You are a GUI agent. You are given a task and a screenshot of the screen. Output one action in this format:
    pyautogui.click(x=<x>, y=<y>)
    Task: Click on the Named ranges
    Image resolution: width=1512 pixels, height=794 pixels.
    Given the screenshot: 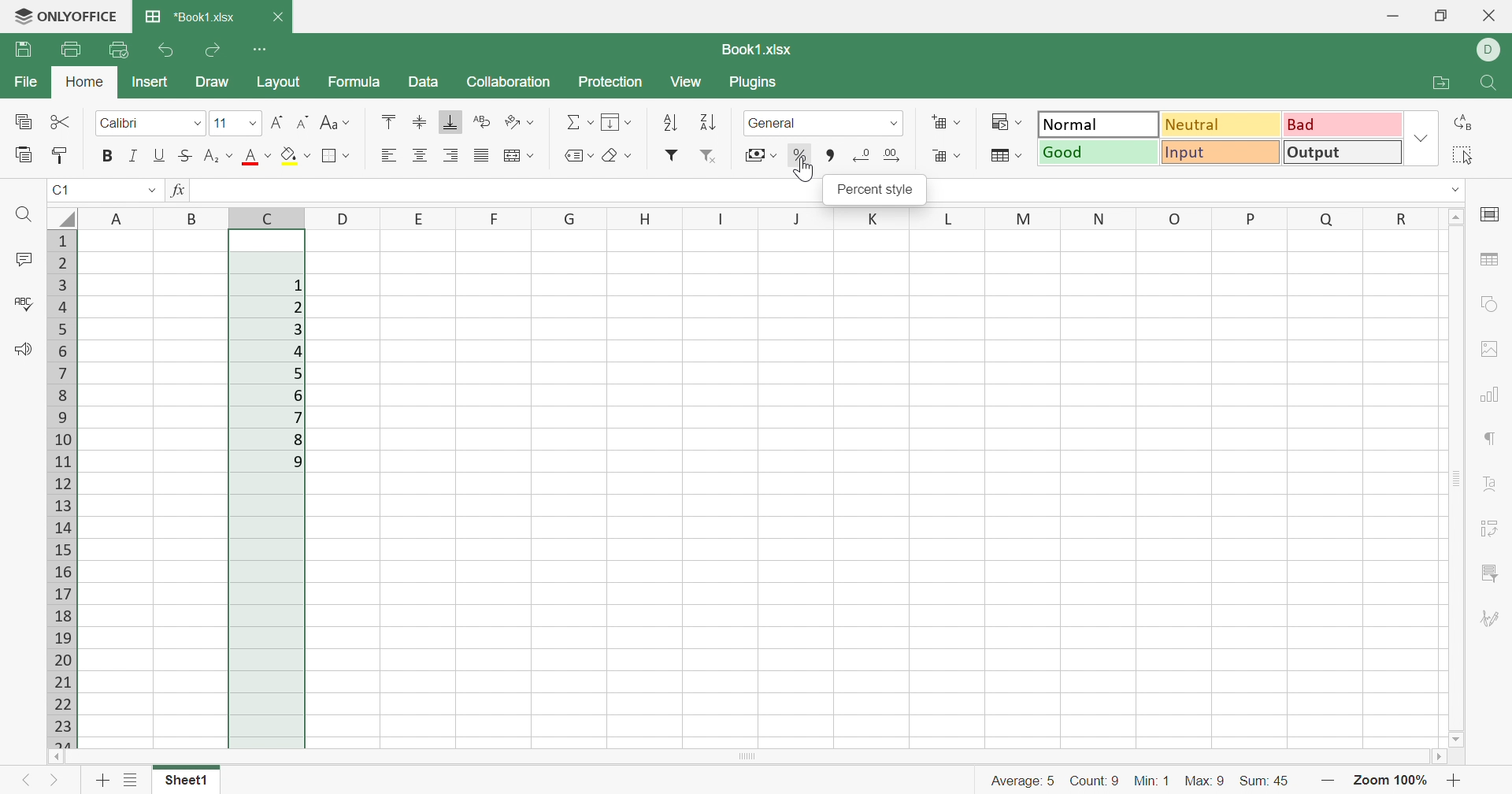 What is the action you would take?
    pyautogui.click(x=577, y=155)
    